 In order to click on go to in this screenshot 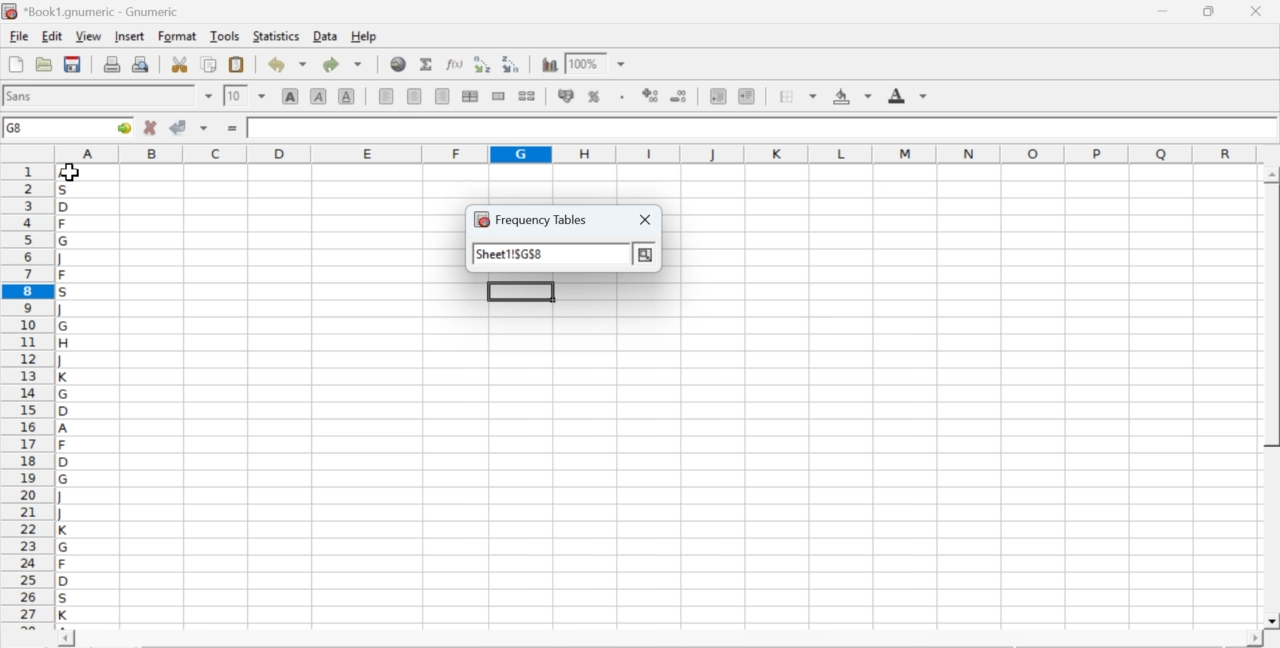, I will do `click(122, 127)`.